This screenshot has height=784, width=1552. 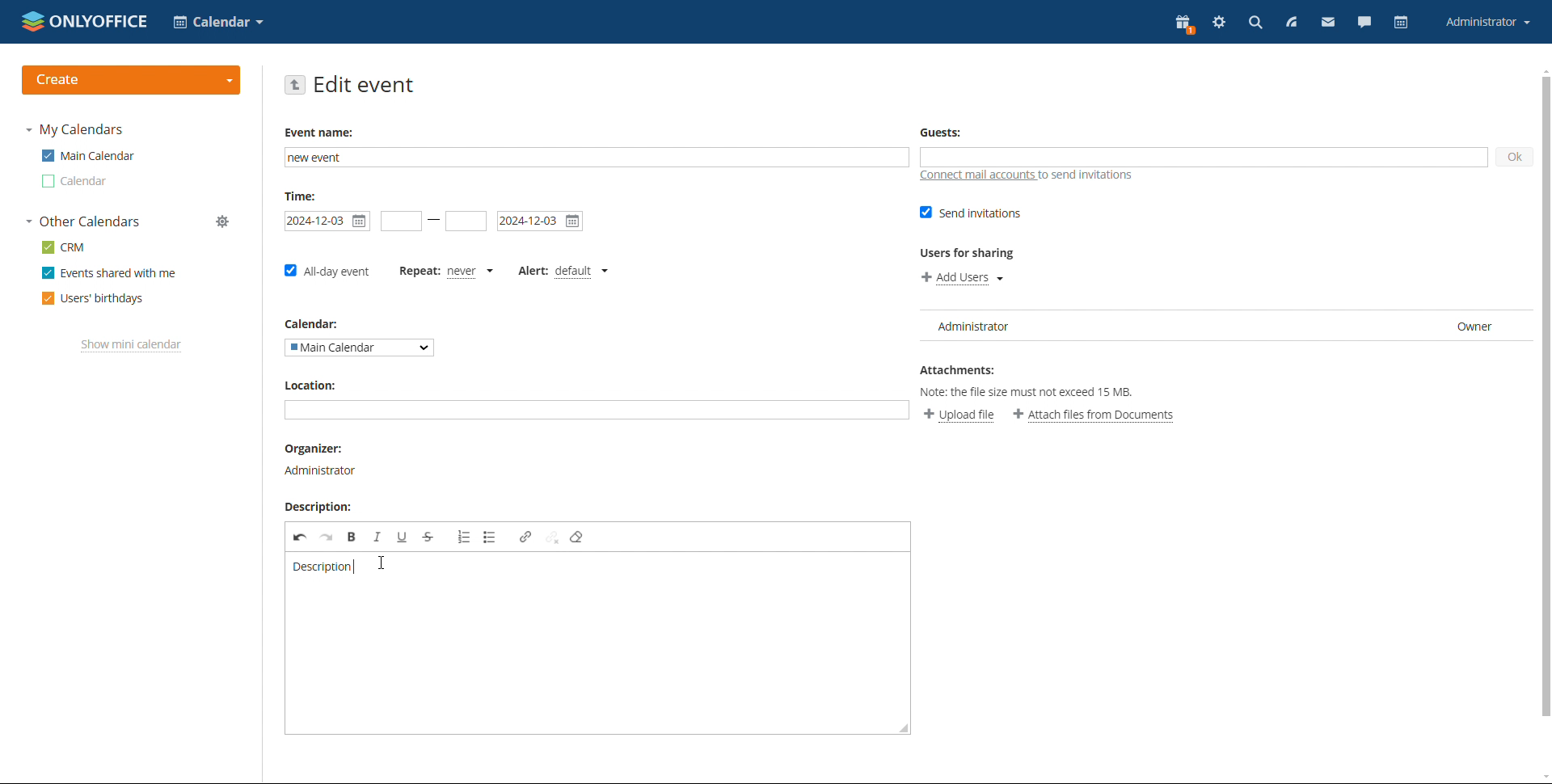 I want to click on Attachments:, so click(x=960, y=369).